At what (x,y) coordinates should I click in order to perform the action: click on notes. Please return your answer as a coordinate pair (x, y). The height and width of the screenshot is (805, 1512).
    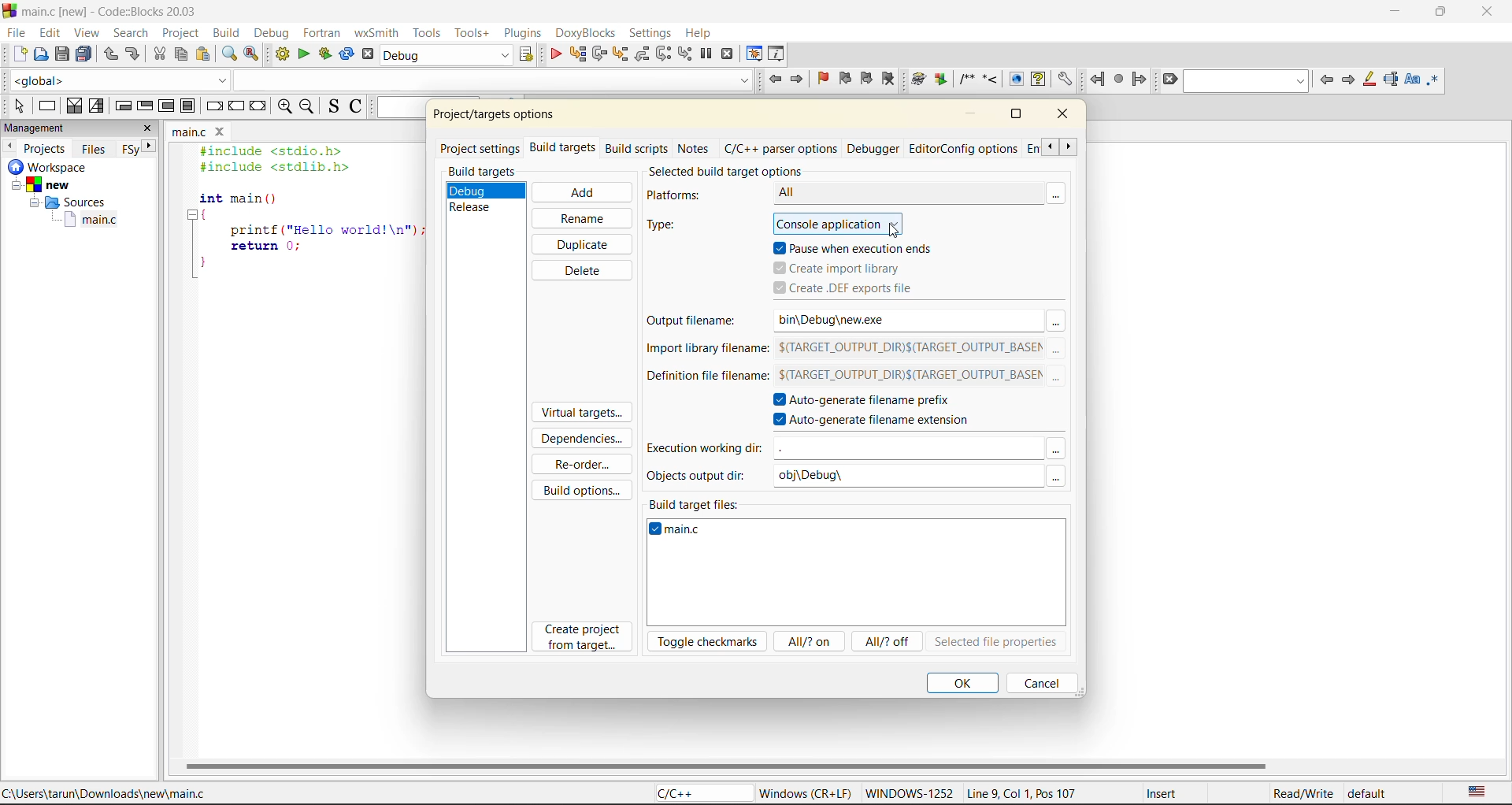
    Looking at the image, I should click on (695, 147).